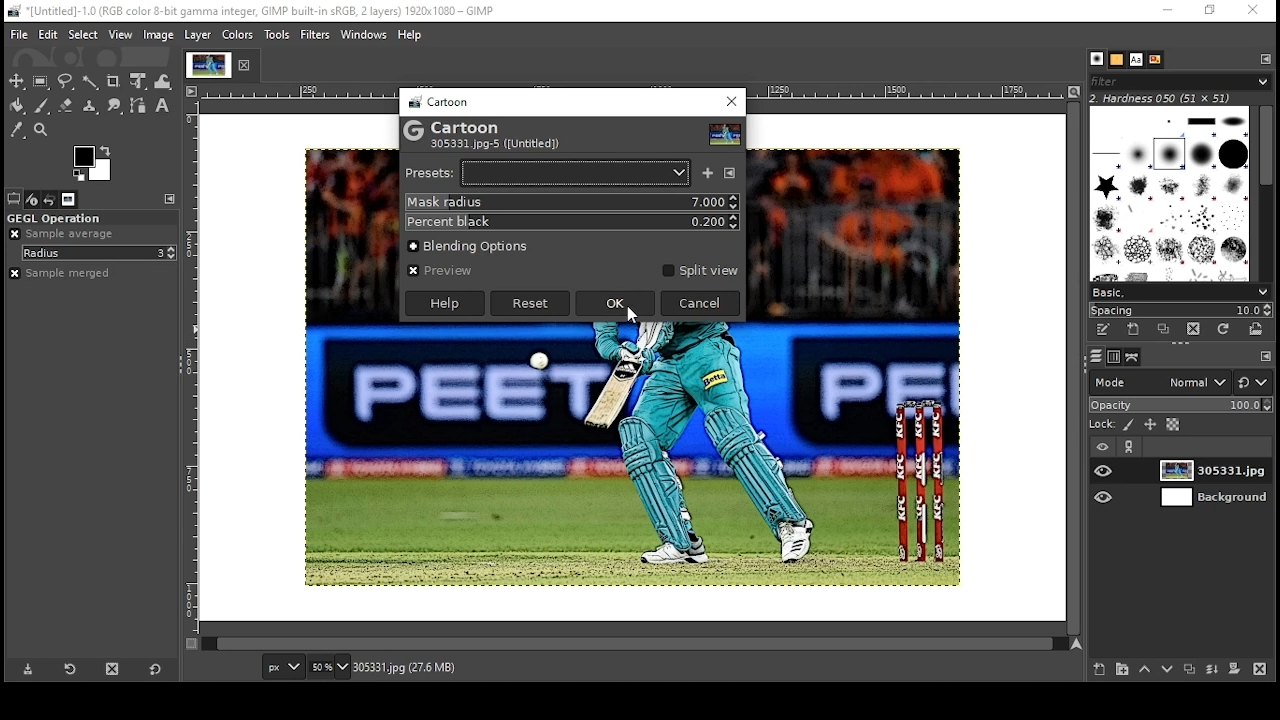 The height and width of the screenshot is (720, 1280). What do you see at coordinates (160, 36) in the screenshot?
I see `image` at bounding box center [160, 36].